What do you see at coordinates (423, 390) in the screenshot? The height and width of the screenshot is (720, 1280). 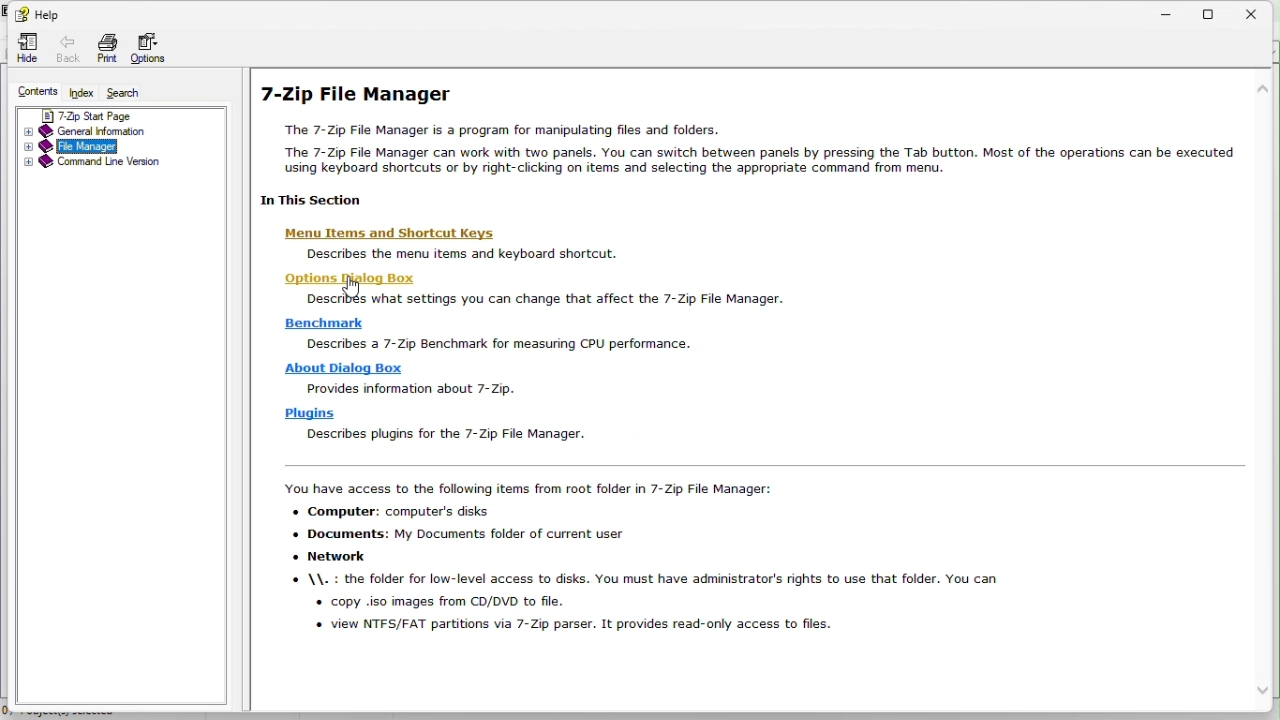 I see `7zip information` at bounding box center [423, 390].